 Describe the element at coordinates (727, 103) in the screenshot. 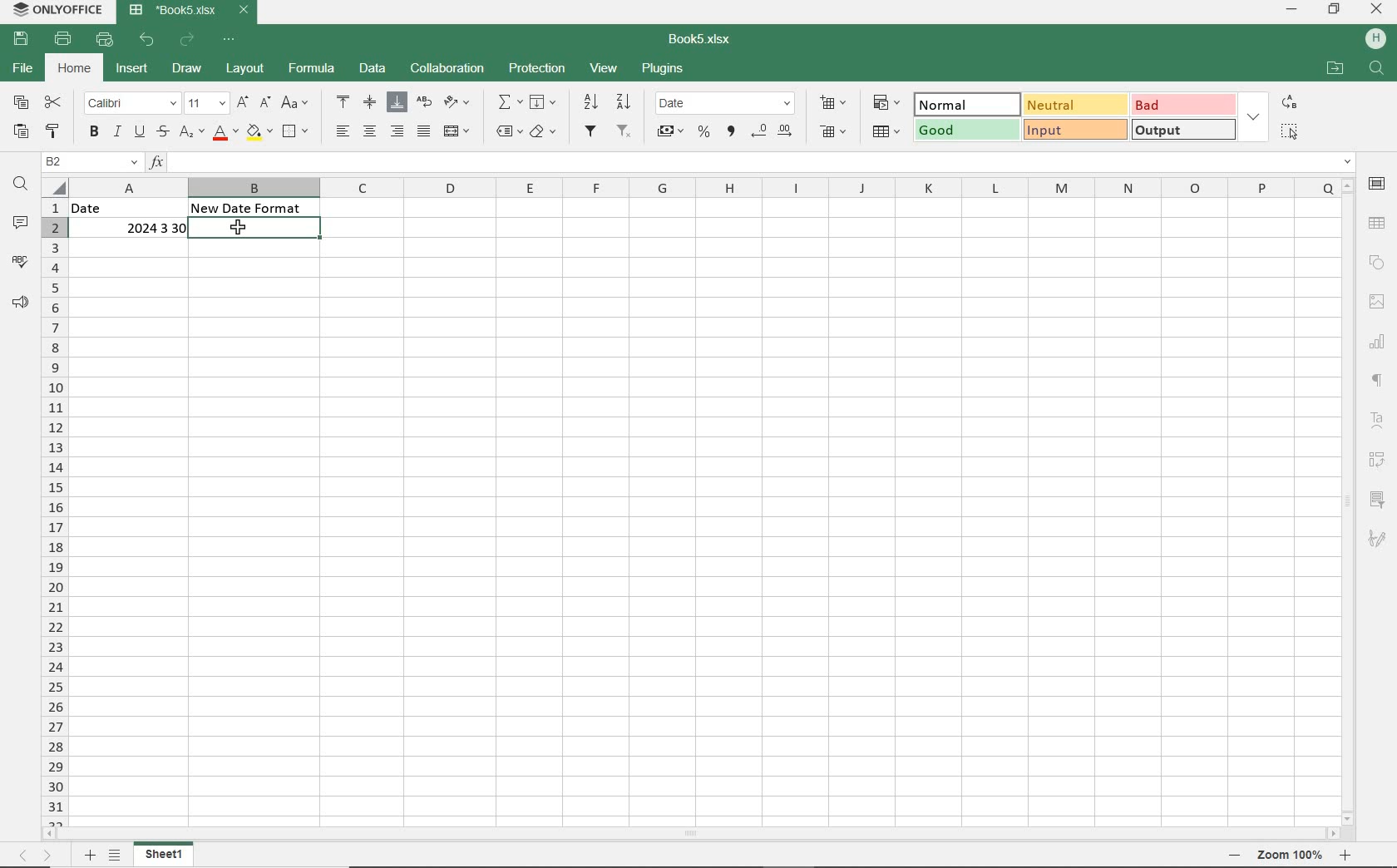

I see `NUMBER FORMAT` at that location.